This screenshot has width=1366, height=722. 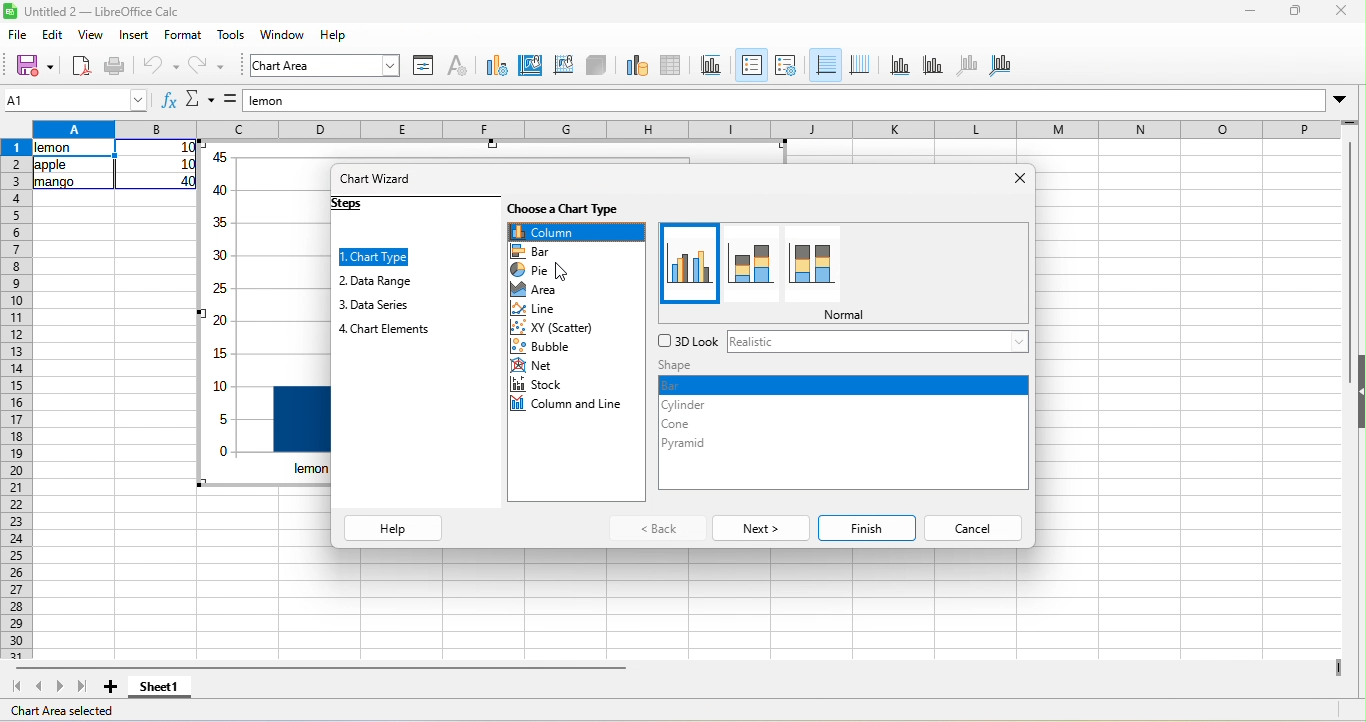 I want to click on character, so click(x=462, y=64).